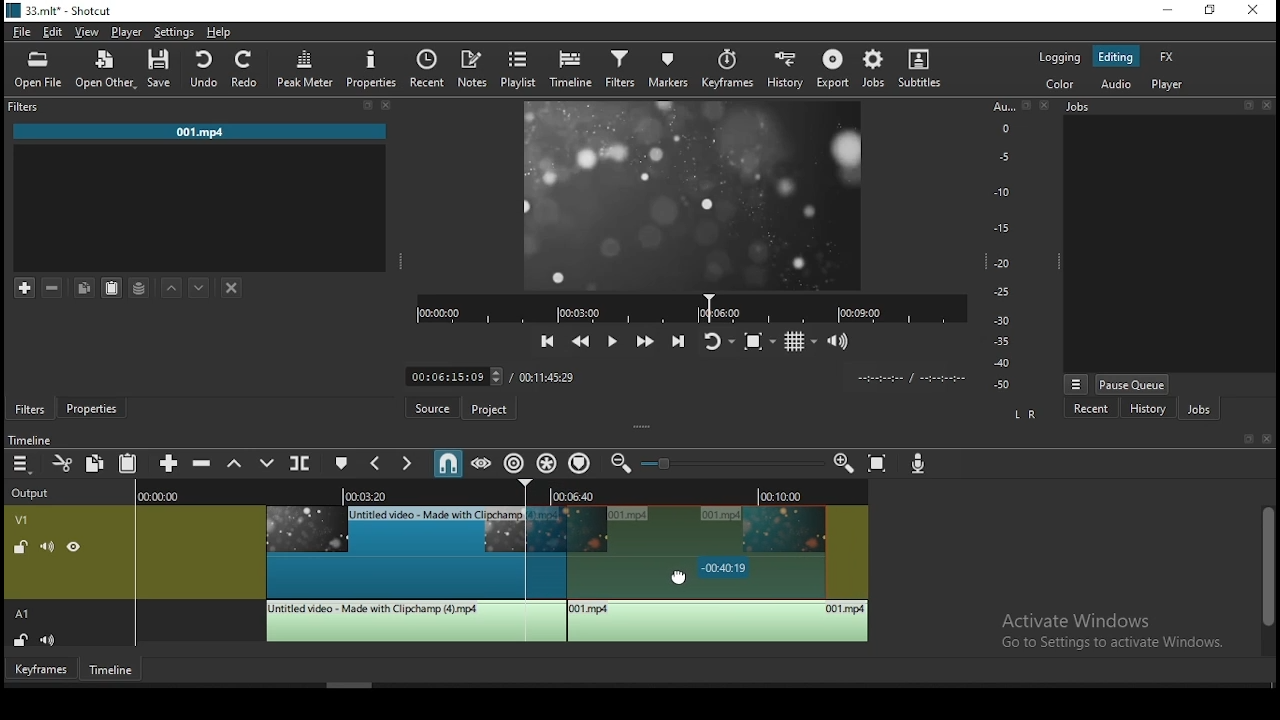  Describe the element at coordinates (203, 132) in the screenshot. I see `001.mp4` at that location.